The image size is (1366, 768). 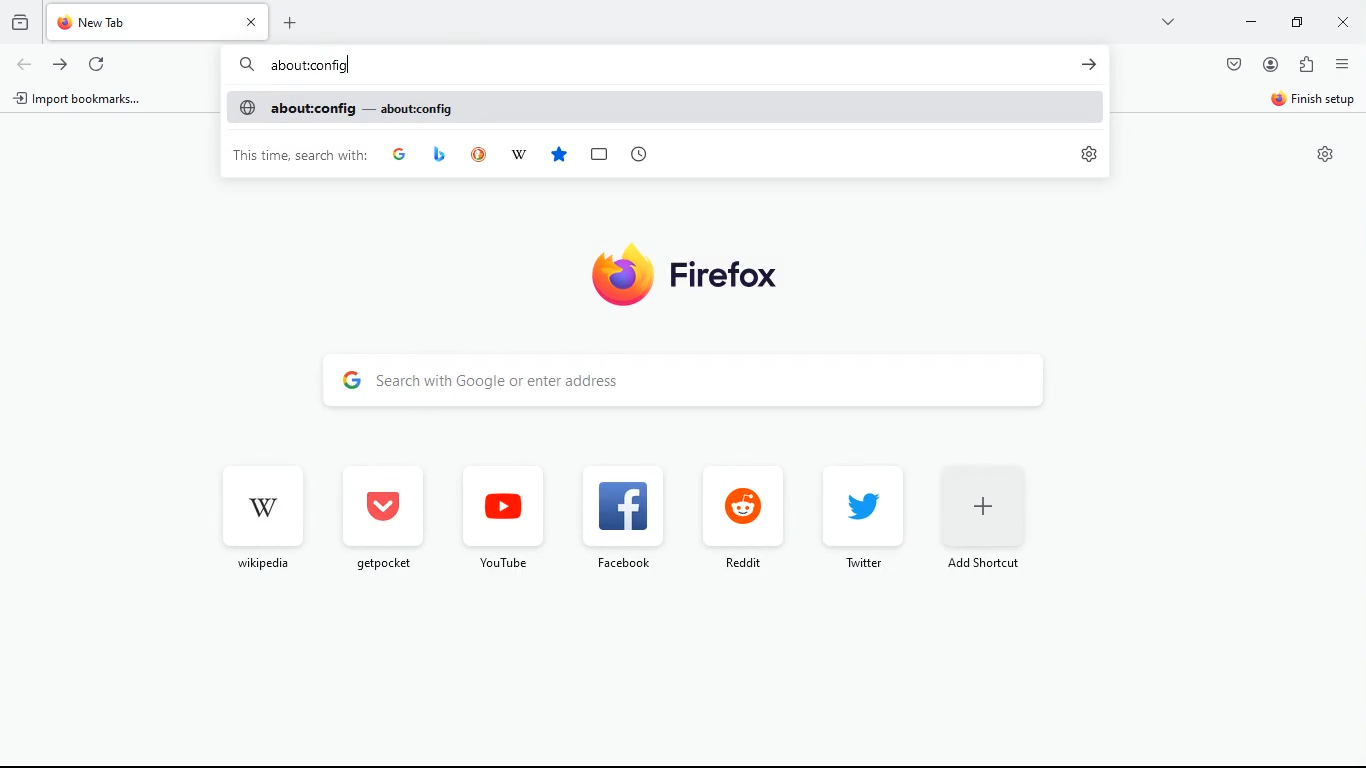 What do you see at coordinates (738, 519) in the screenshot?
I see `reddit` at bounding box center [738, 519].